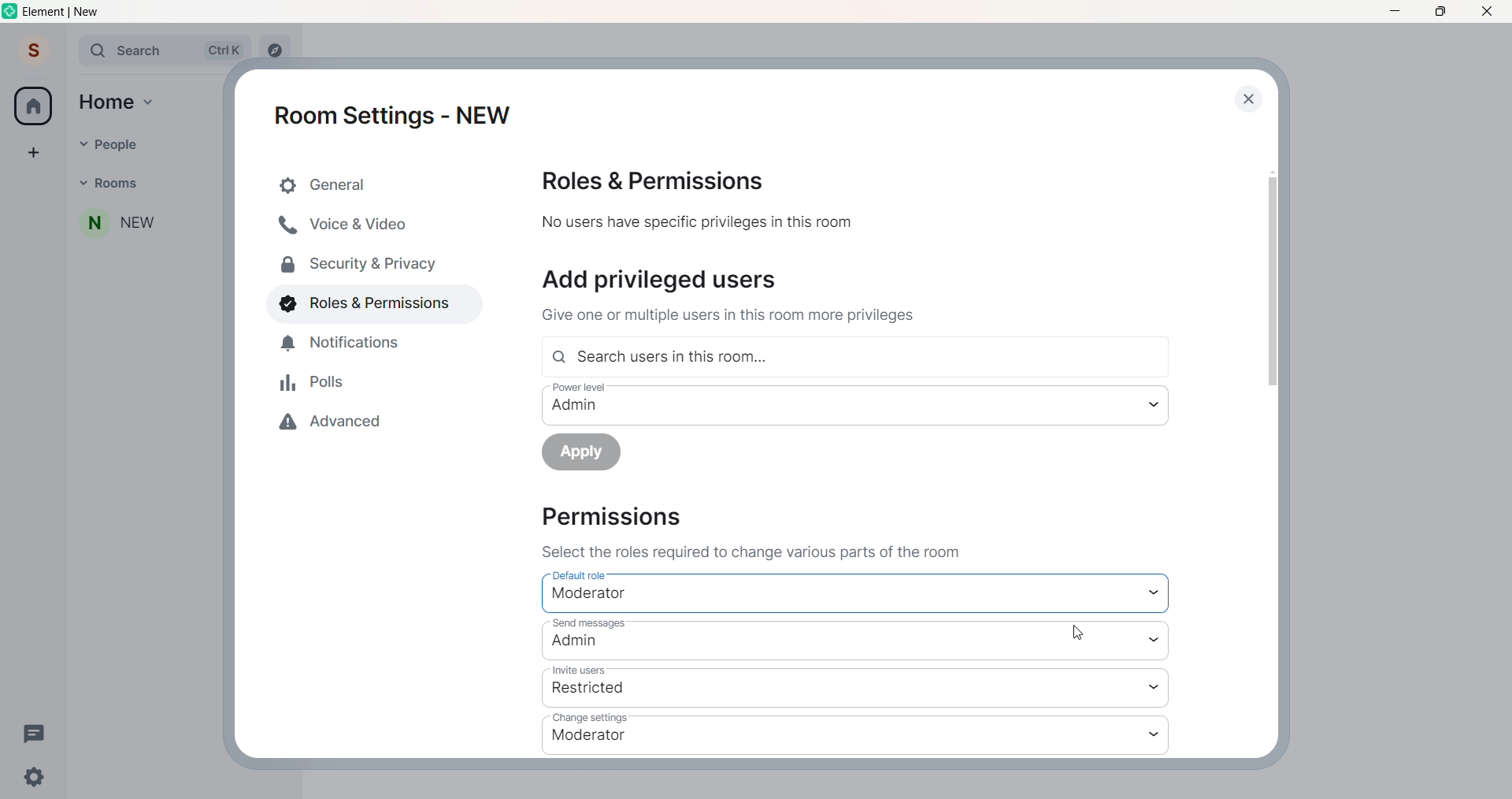 This screenshot has width=1512, height=799. I want to click on default role - moderator, so click(699, 591).